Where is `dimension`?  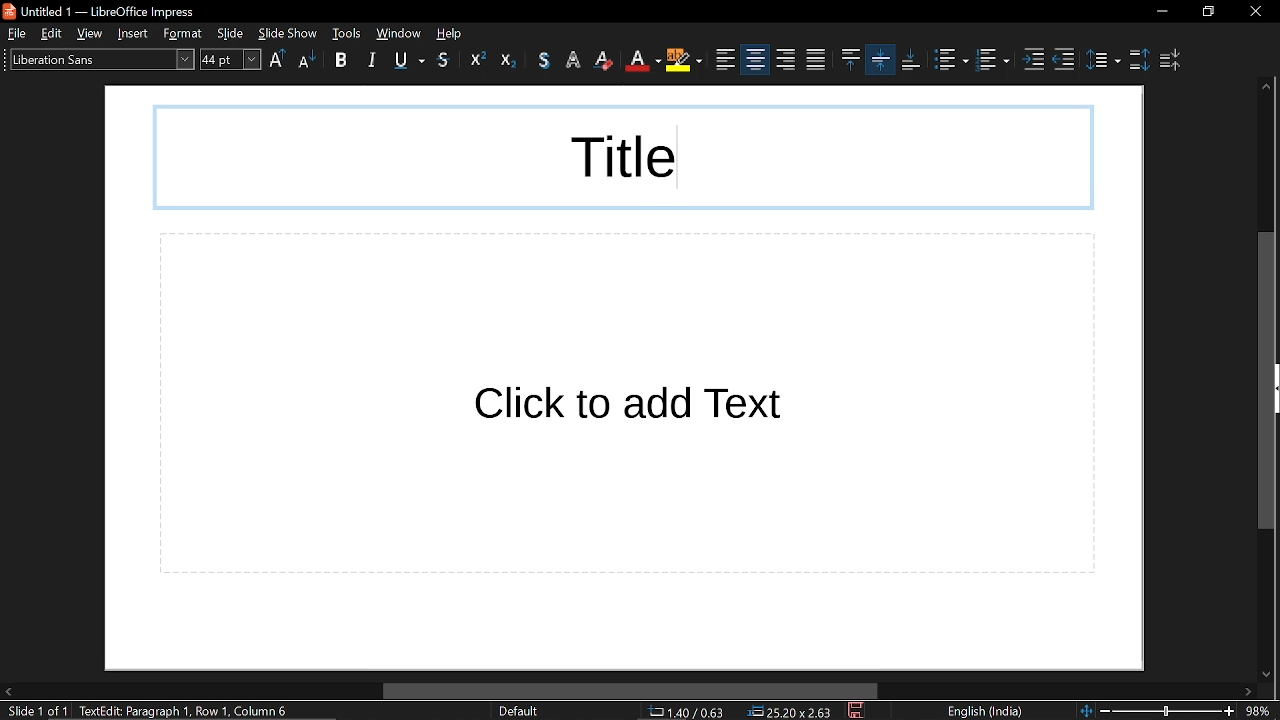 dimension is located at coordinates (791, 712).